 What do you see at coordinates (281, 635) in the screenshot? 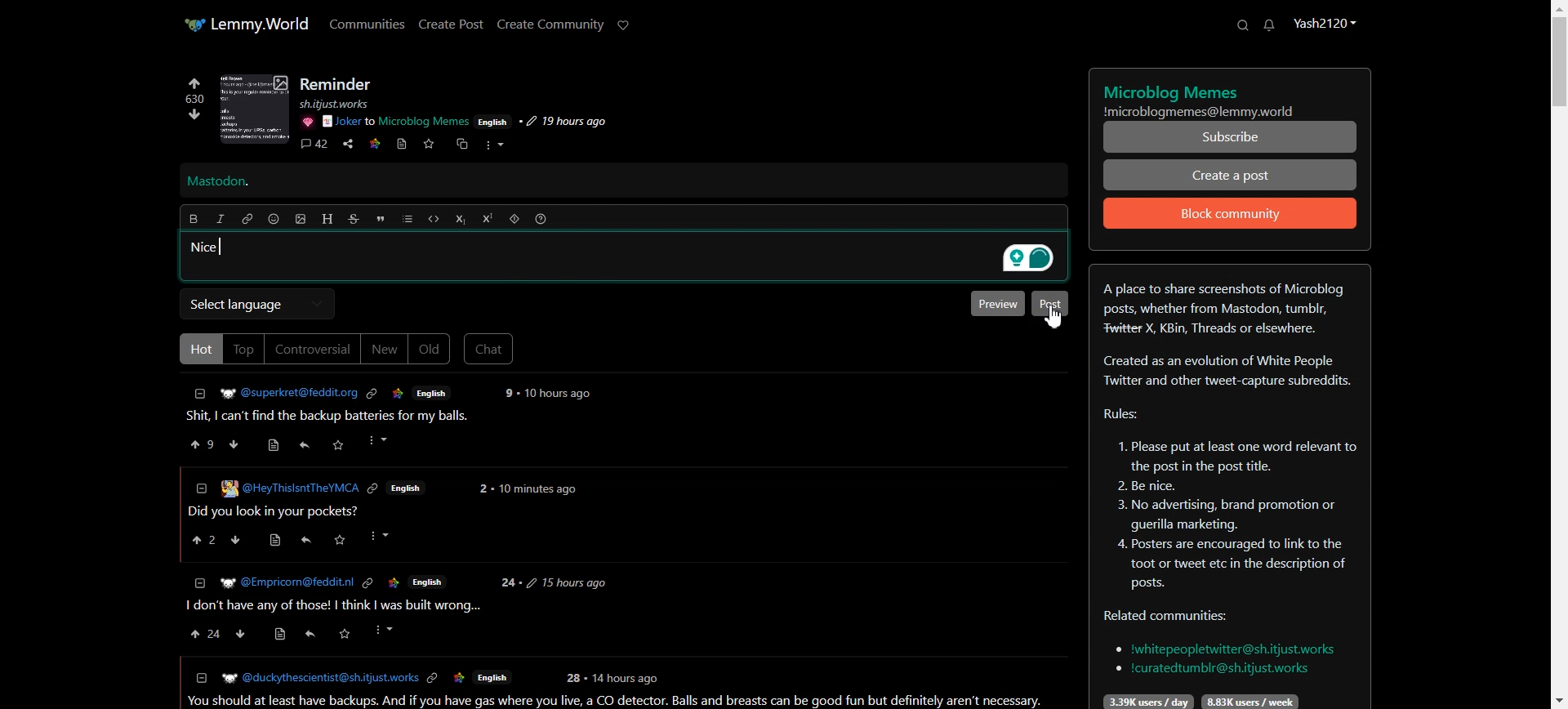
I see `` at bounding box center [281, 635].